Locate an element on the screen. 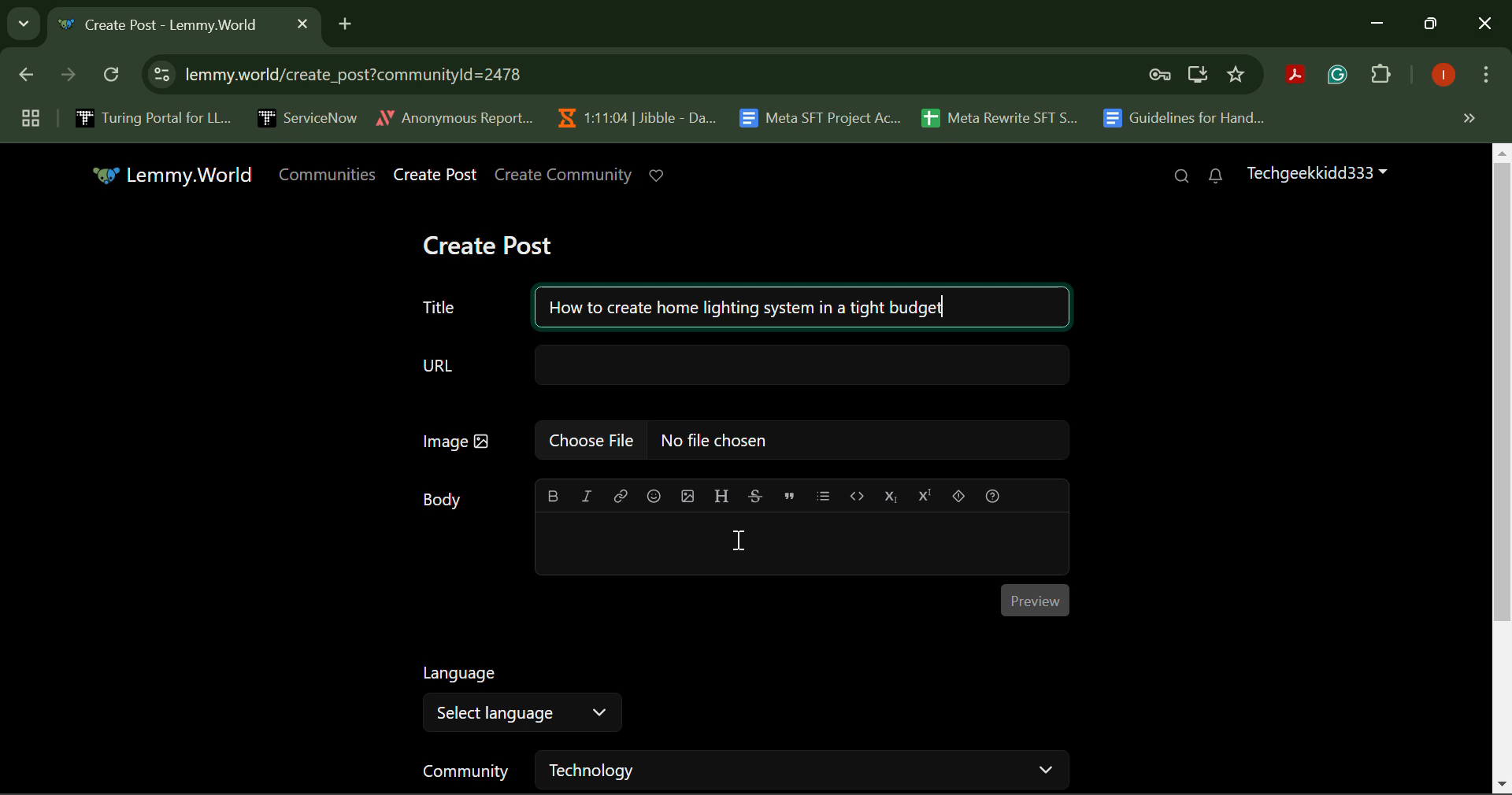 Image resolution: width=1512 pixels, height=795 pixels. italic is located at coordinates (586, 494).